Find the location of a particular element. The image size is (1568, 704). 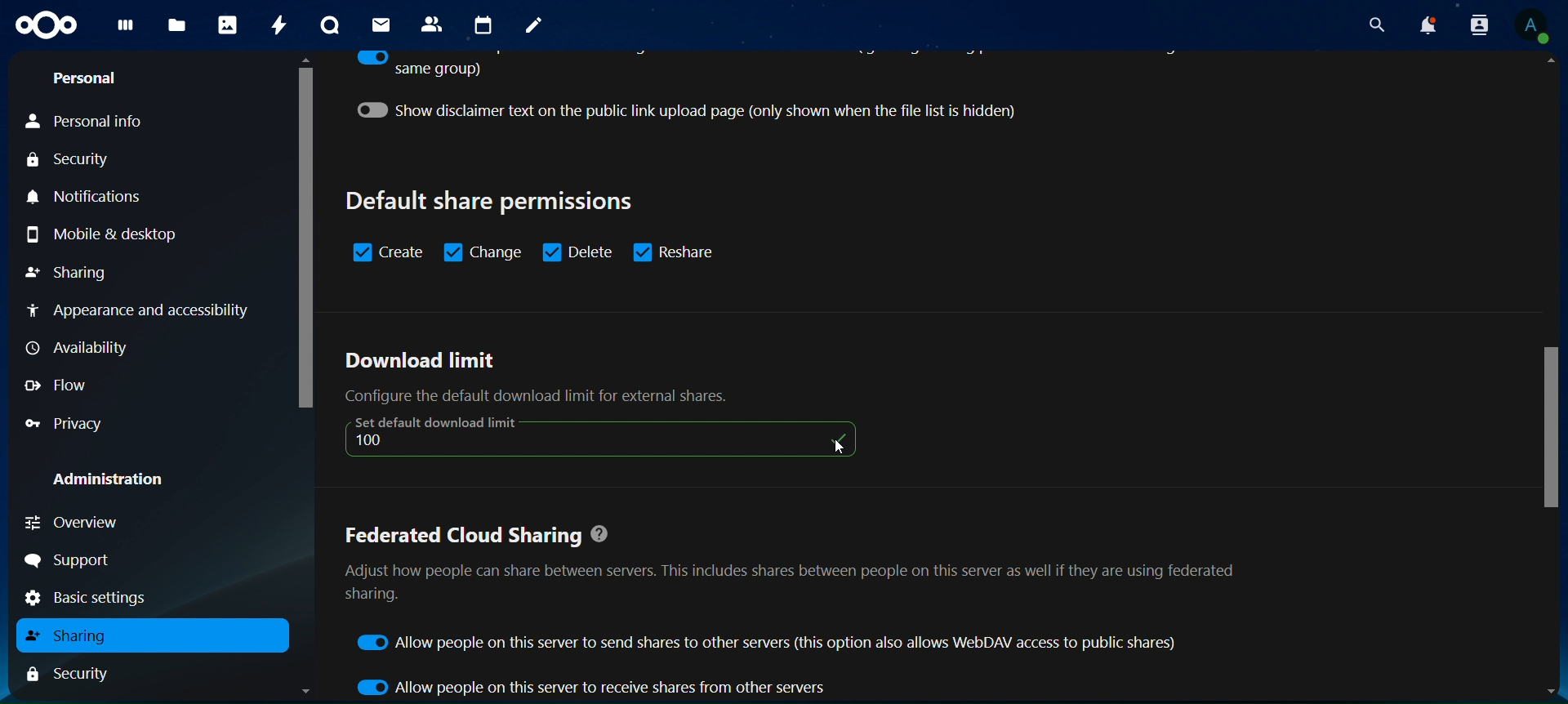

mail is located at coordinates (383, 25).